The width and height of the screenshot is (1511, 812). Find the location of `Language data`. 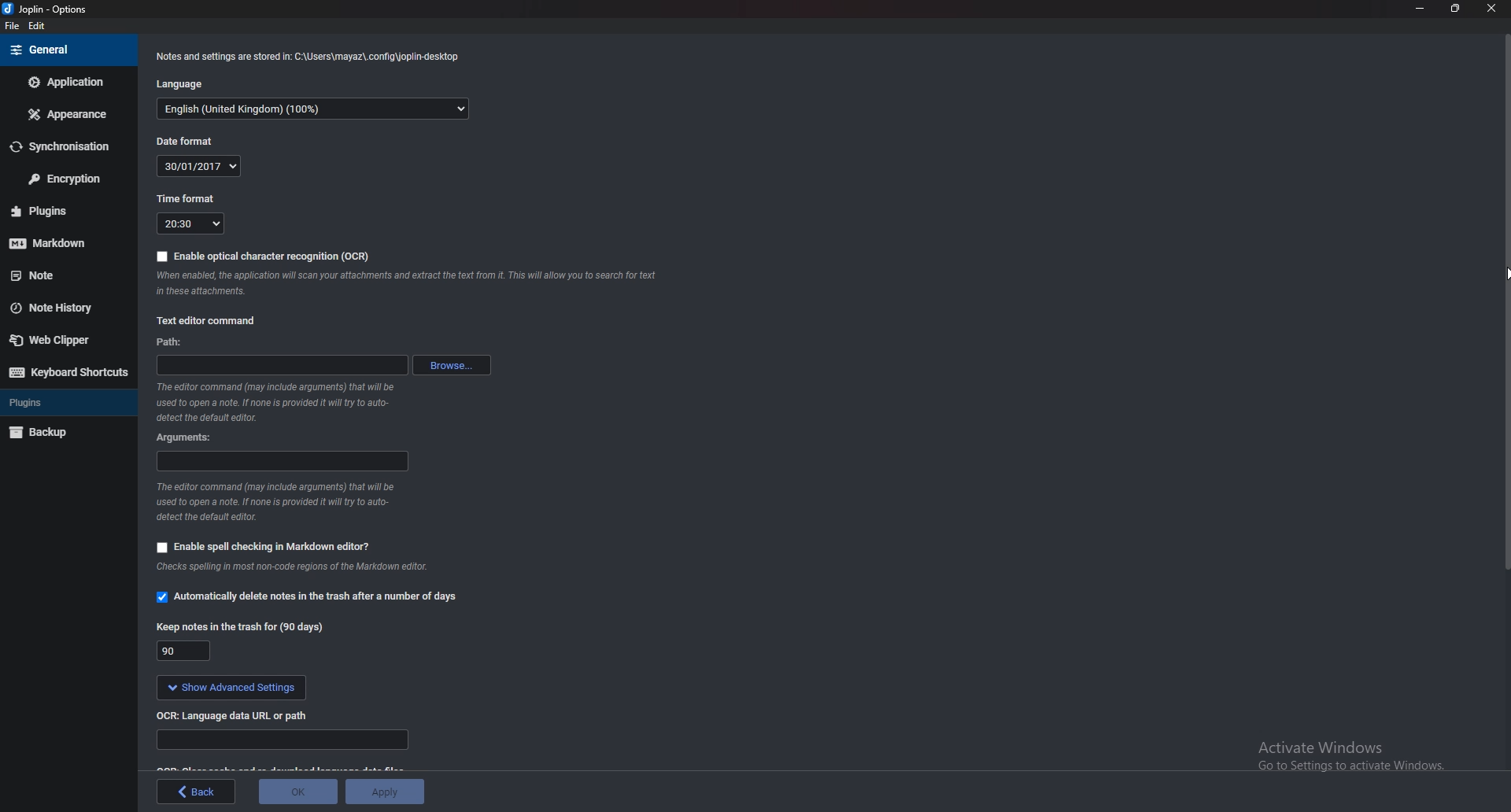

Language data is located at coordinates (286, 742).